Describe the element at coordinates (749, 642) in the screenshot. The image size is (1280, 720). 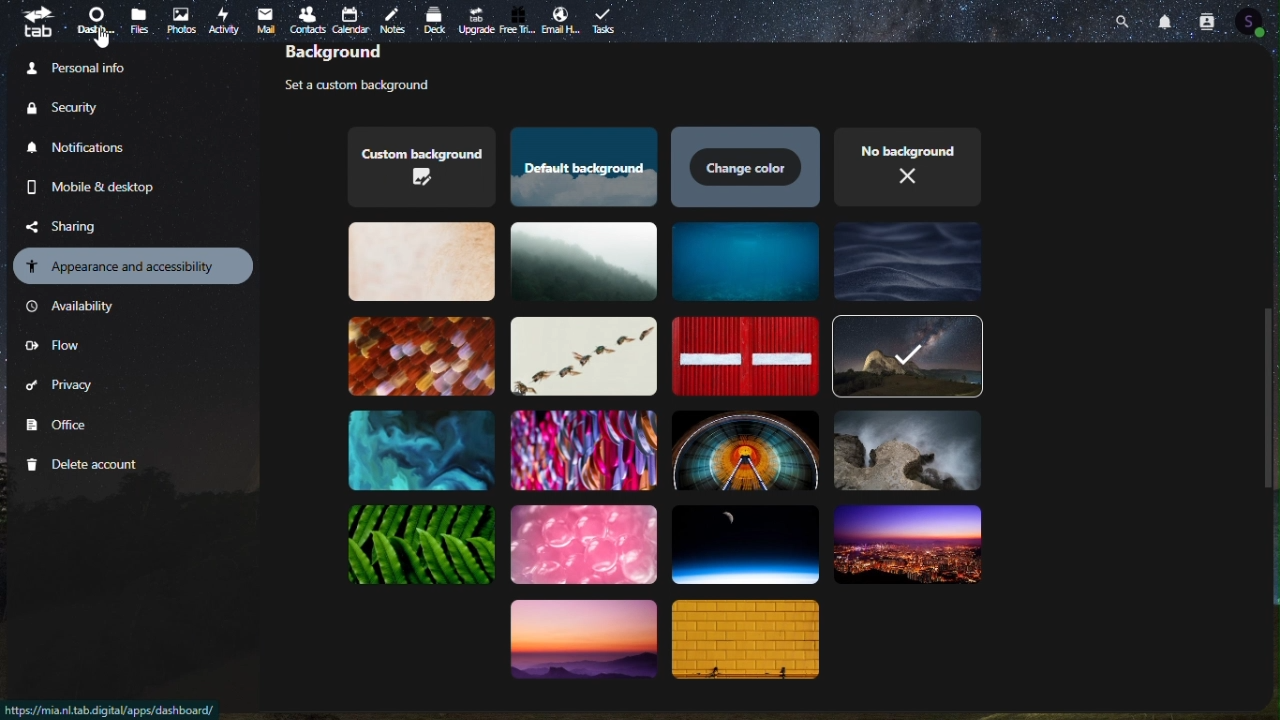
I see `Themes` at that location.